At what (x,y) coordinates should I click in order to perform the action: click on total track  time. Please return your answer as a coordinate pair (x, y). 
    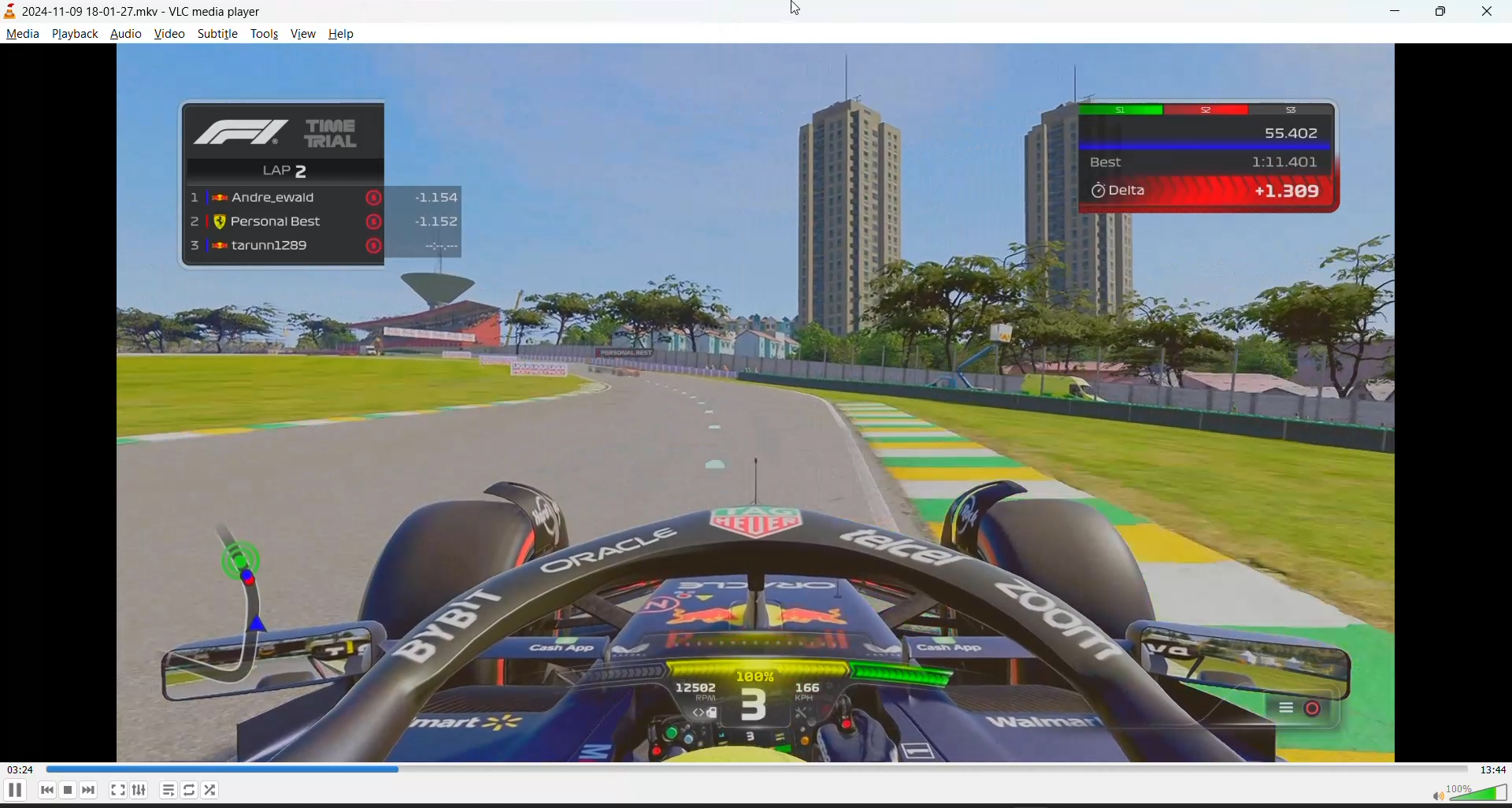
    Looking at the image, I should click on (1494, 769).